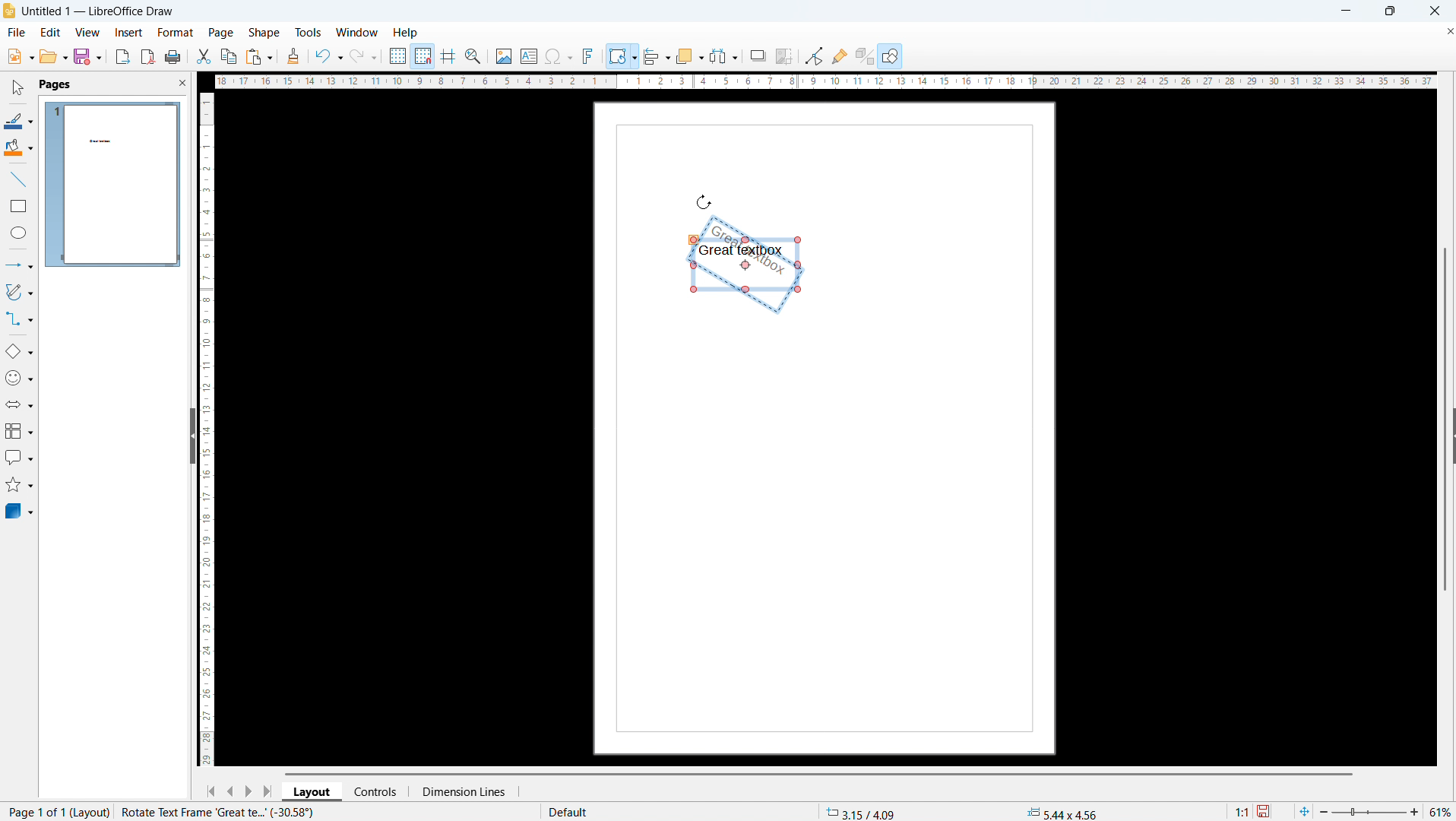  Describe the element at coordinates (840, 55) in the screenshot. I see `show gluepoint functions` at that location.